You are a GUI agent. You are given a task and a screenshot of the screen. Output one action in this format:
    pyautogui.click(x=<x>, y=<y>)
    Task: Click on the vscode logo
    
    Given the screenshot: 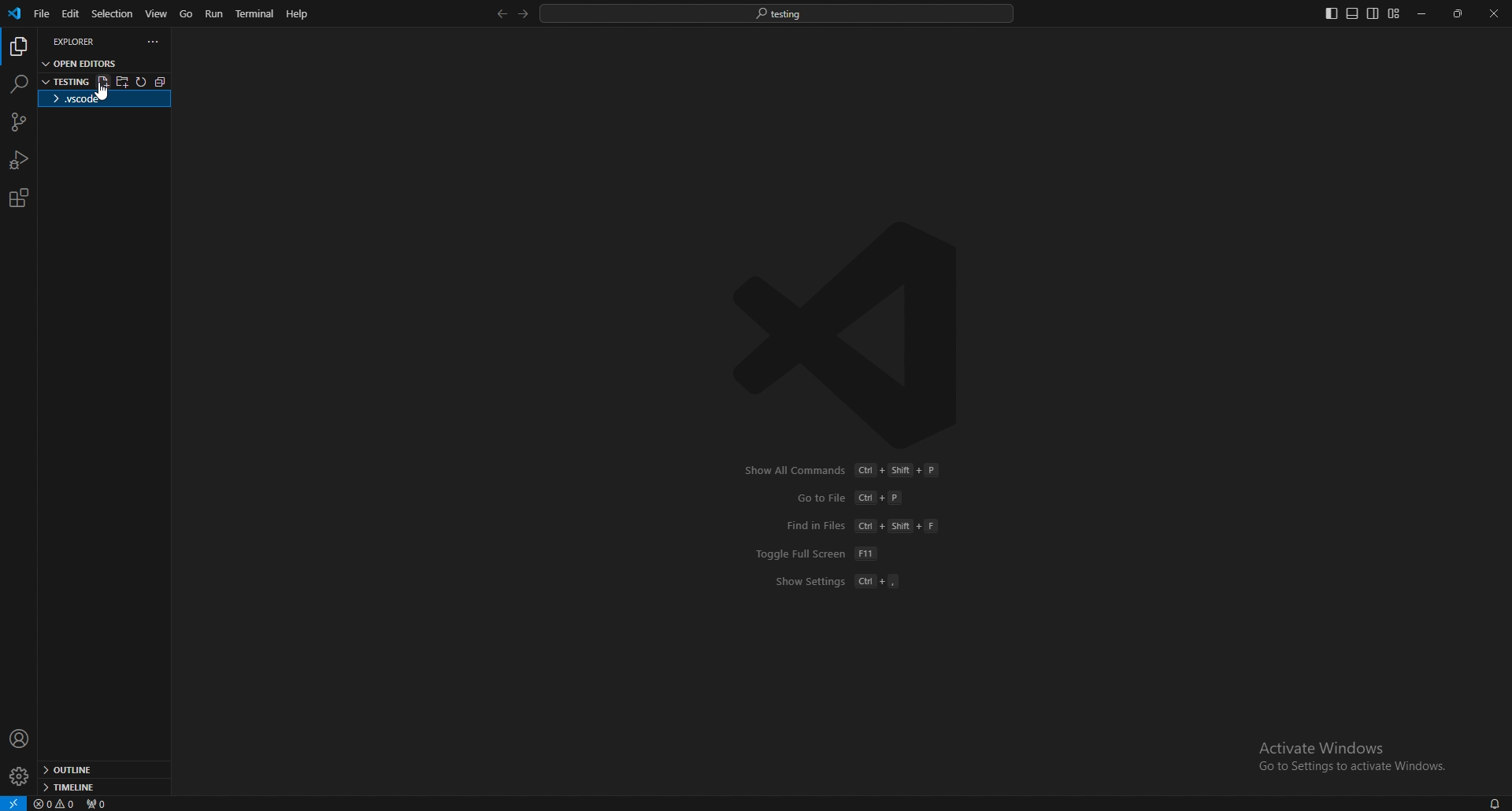 What is the action you would take?
    pyautogui.click(x=855, y=335)
    